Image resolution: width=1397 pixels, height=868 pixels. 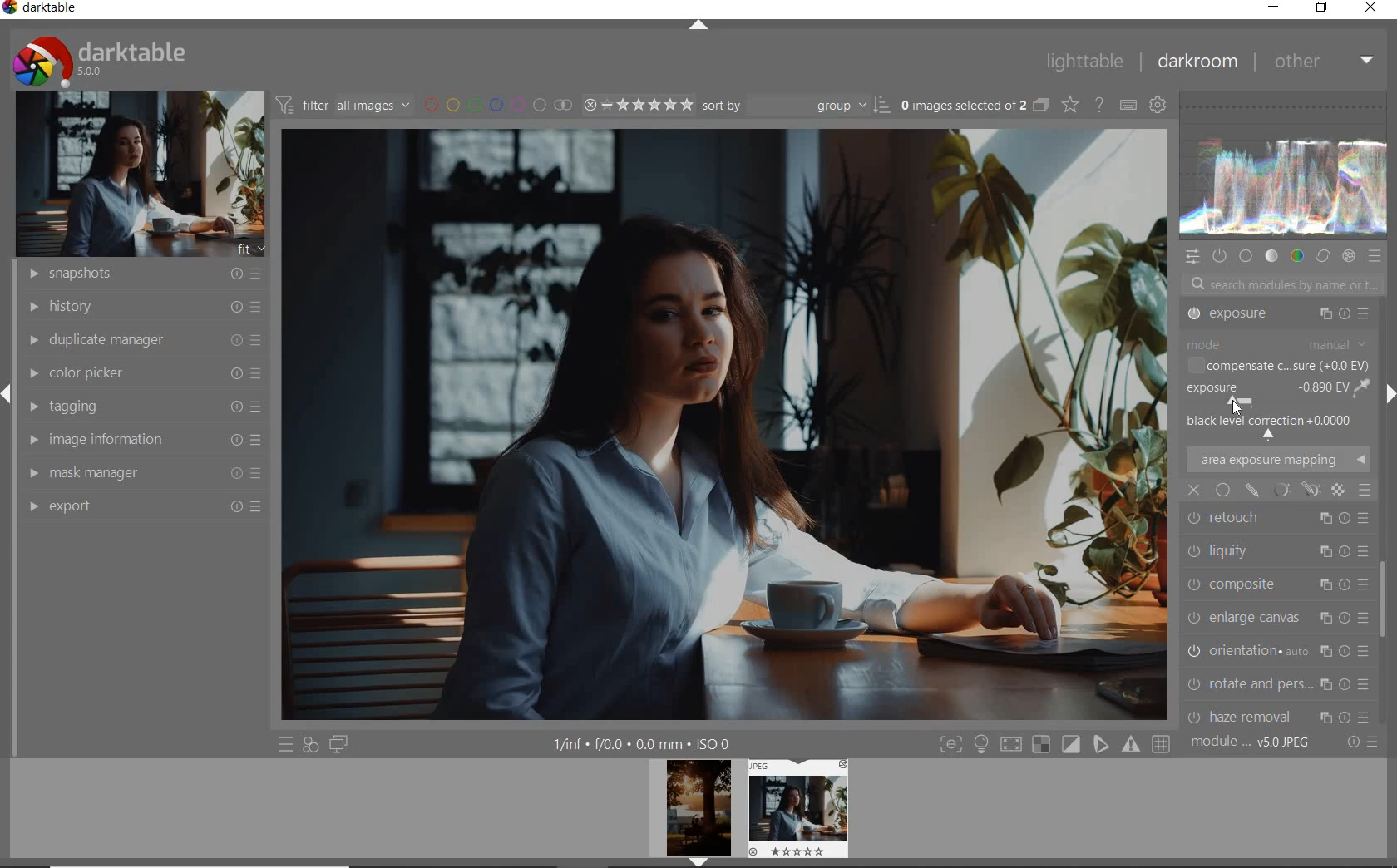 What do you see at coordinates (146, 506) in the screenshot?
I see `EXPORT` at bounding box center [146, 506].